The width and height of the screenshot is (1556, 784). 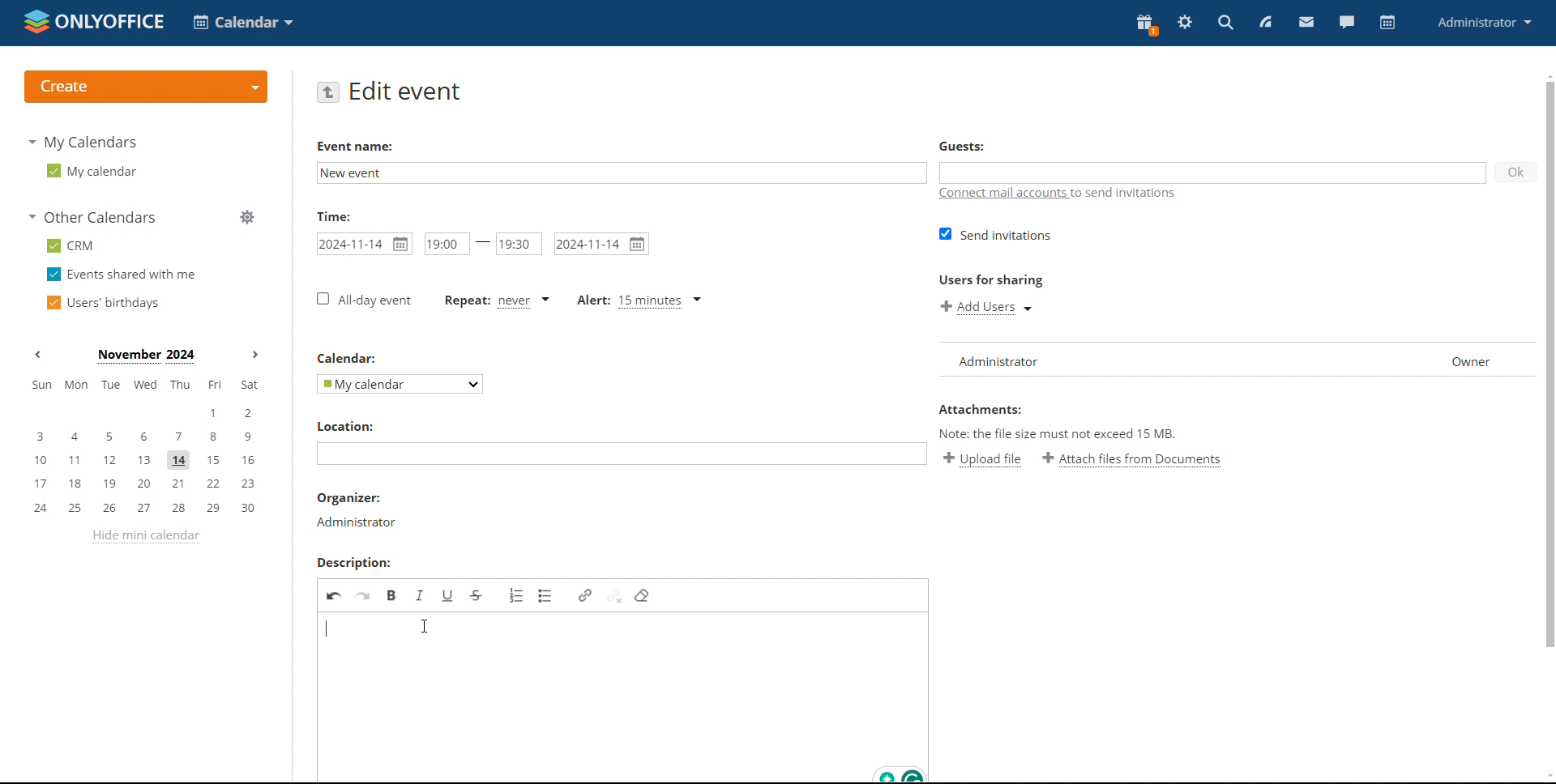 What do you see at coordinates (144, 86) in the screenshot?
I see `logo` at bounding box center [144, 86].